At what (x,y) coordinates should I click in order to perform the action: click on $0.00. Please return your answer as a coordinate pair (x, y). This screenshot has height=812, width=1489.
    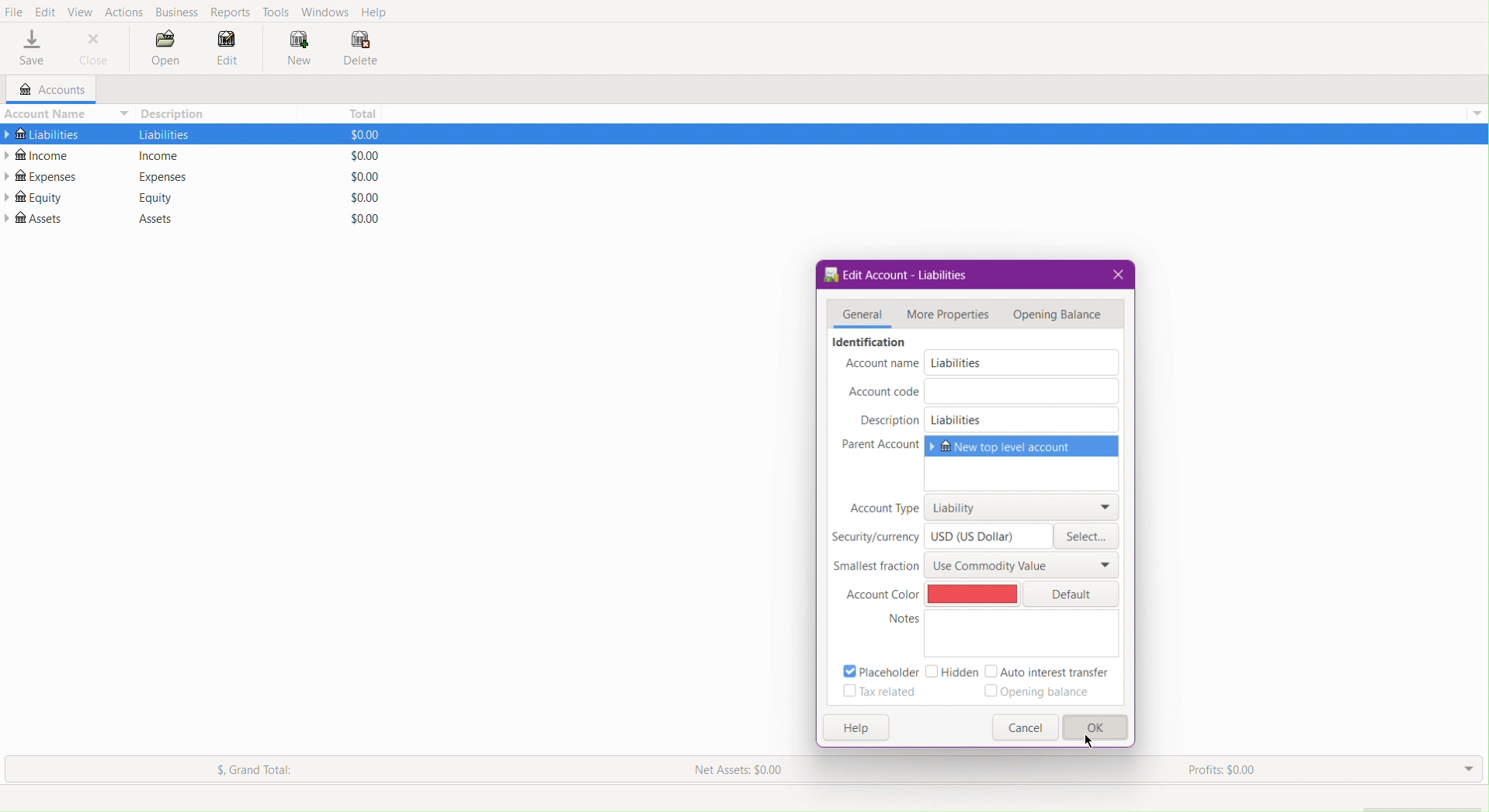
    Looking at the image, I should click on (358, 134).